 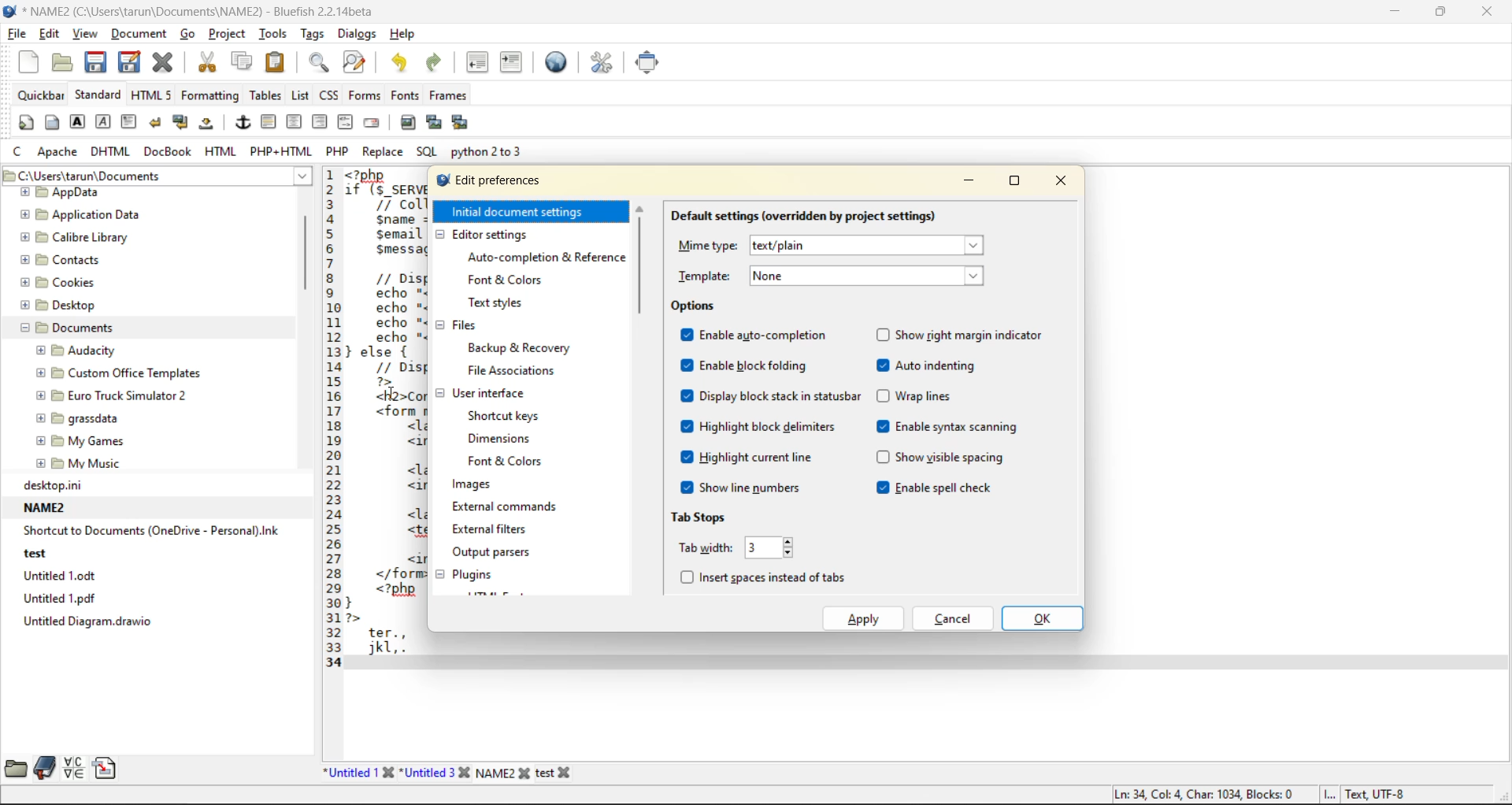 I want to click on show visible spacing, so click(x=943, y=455).